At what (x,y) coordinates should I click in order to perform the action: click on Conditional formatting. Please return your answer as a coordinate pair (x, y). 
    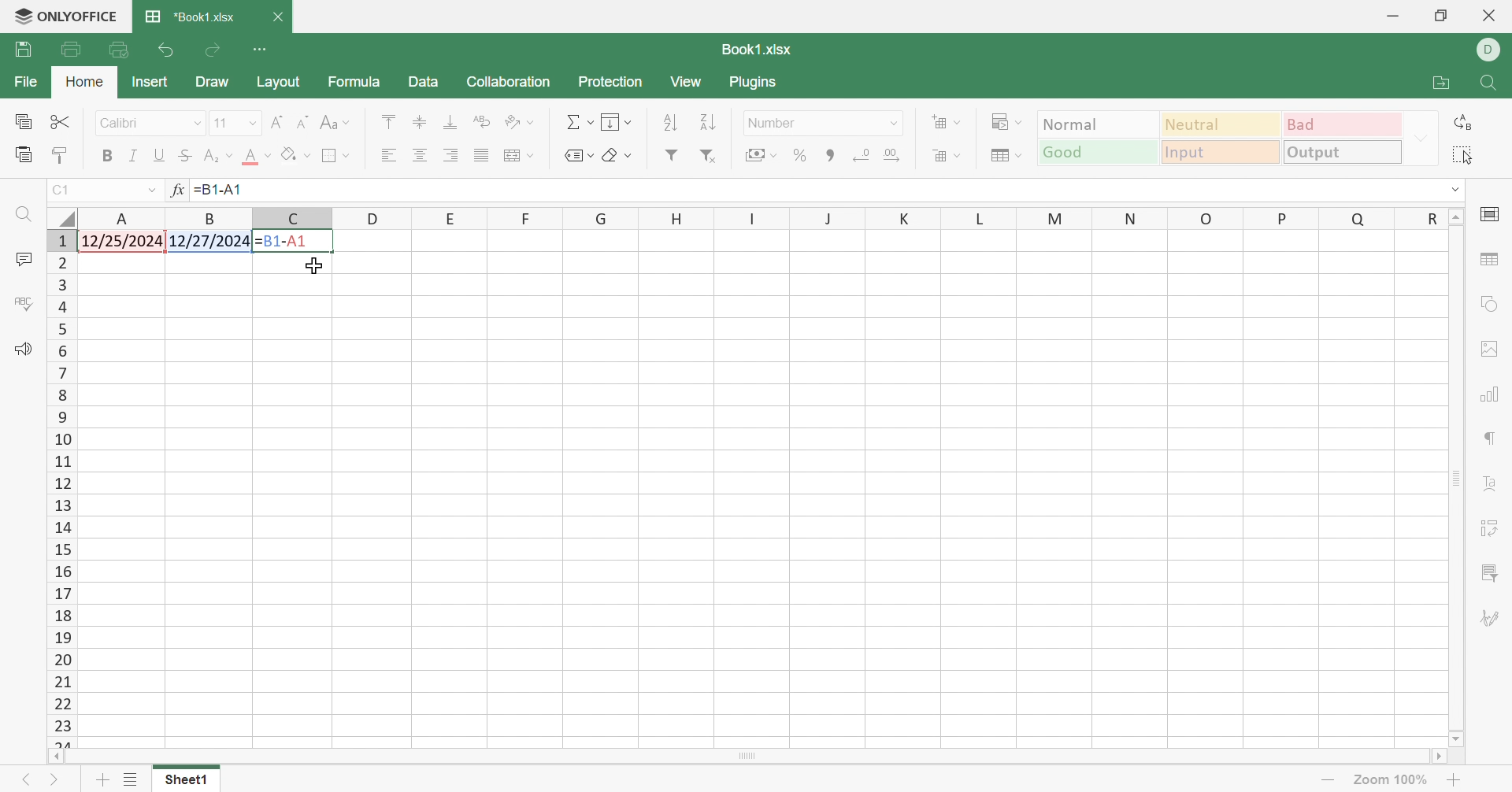
    Looking at the image, I should click on (1007, 121).